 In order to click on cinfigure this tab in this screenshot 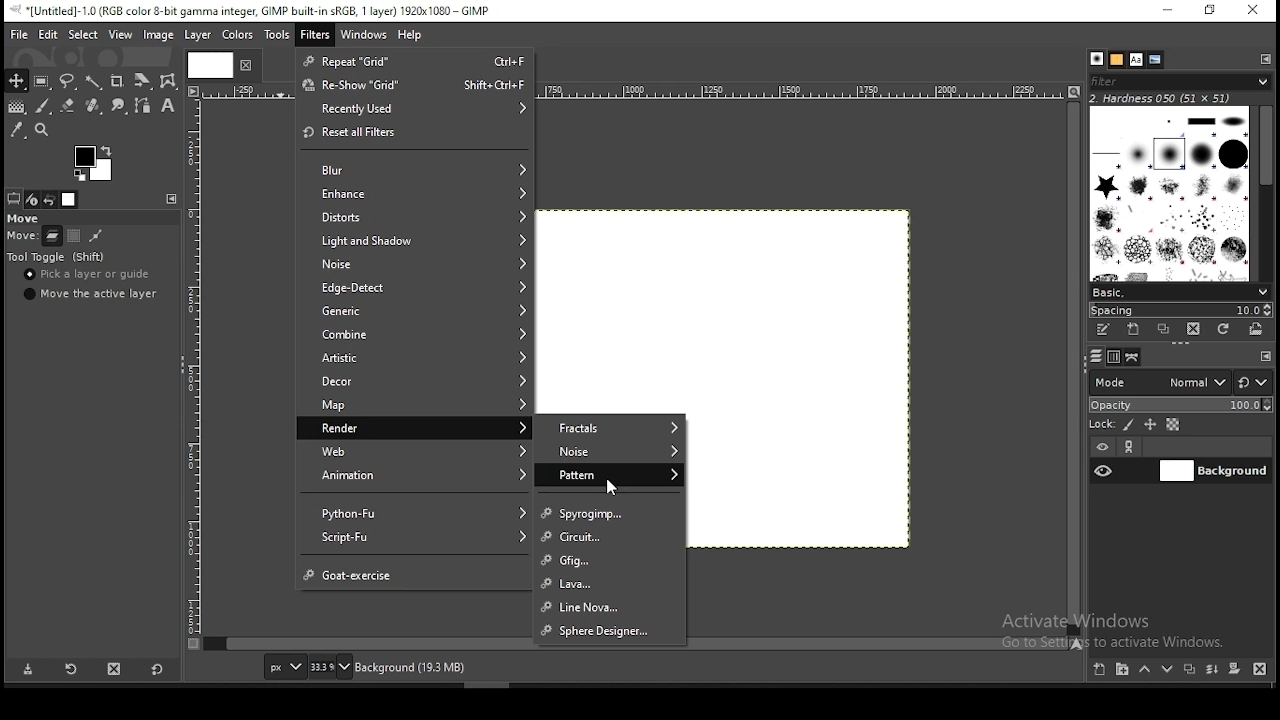, I will do `click(1267, 356)`.